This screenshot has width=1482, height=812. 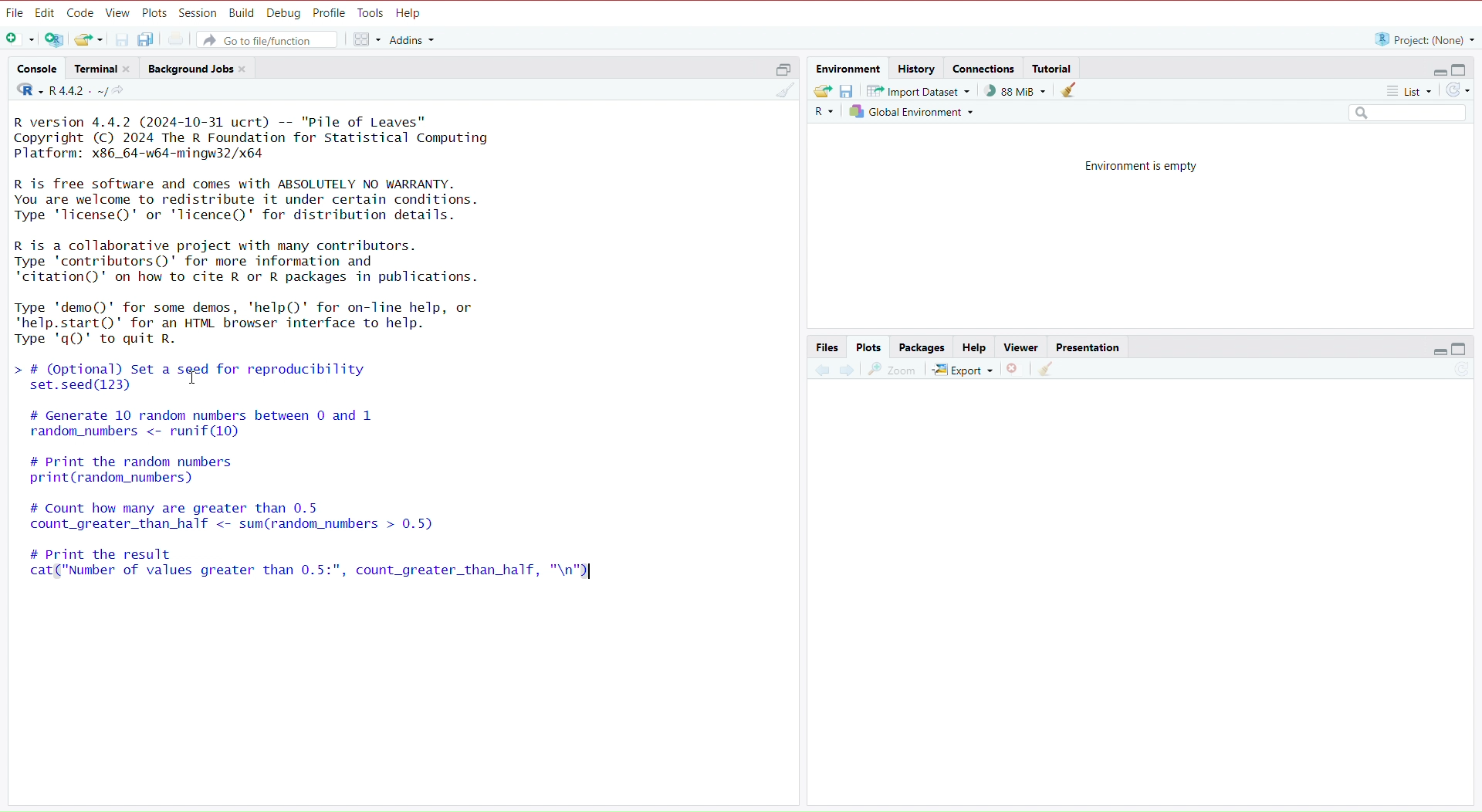 I want to click on Save current file, so click(x=120, y=40).